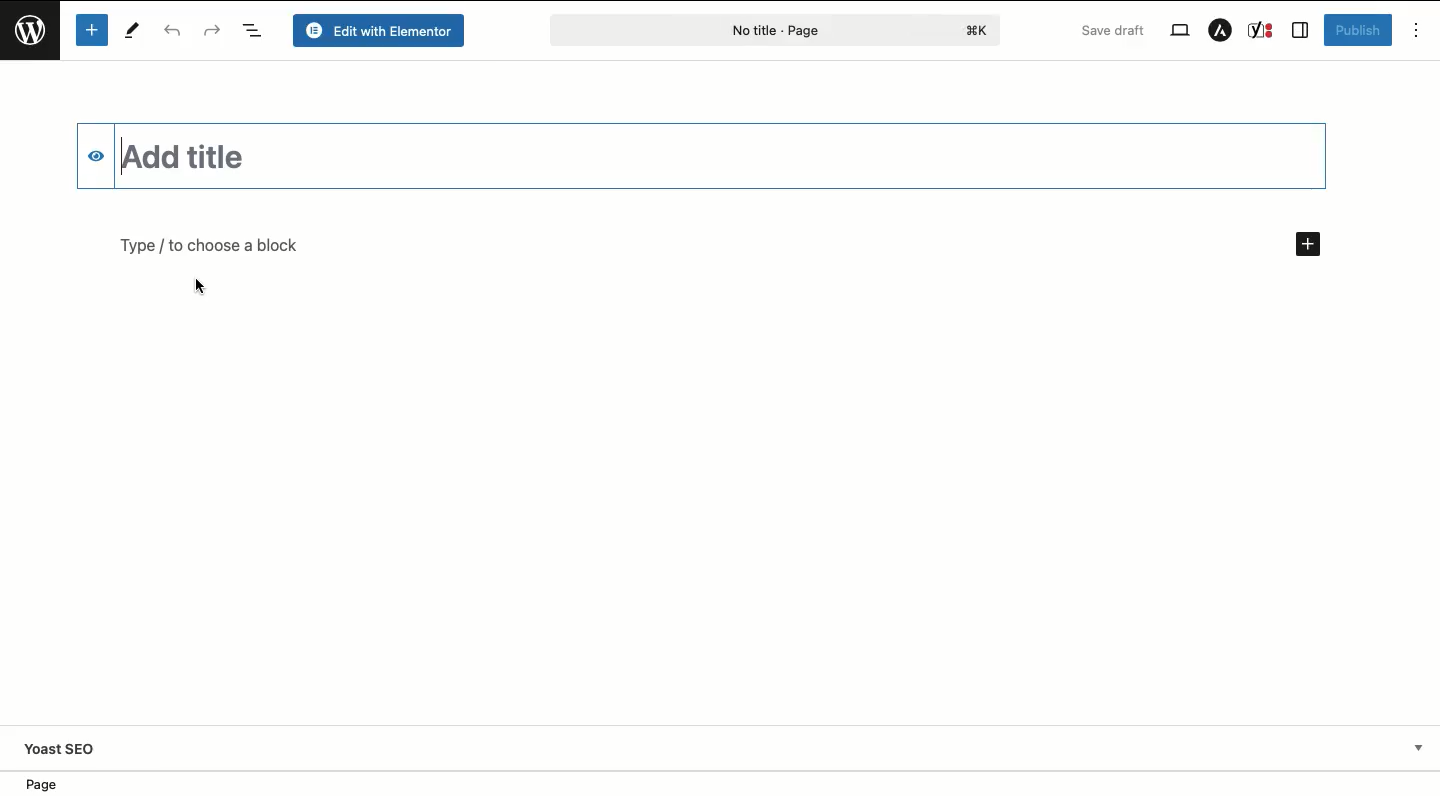 Image resolution: width=1440 pixels, height=796 pixels. I want to click on Yoast, so click(1261, 30).